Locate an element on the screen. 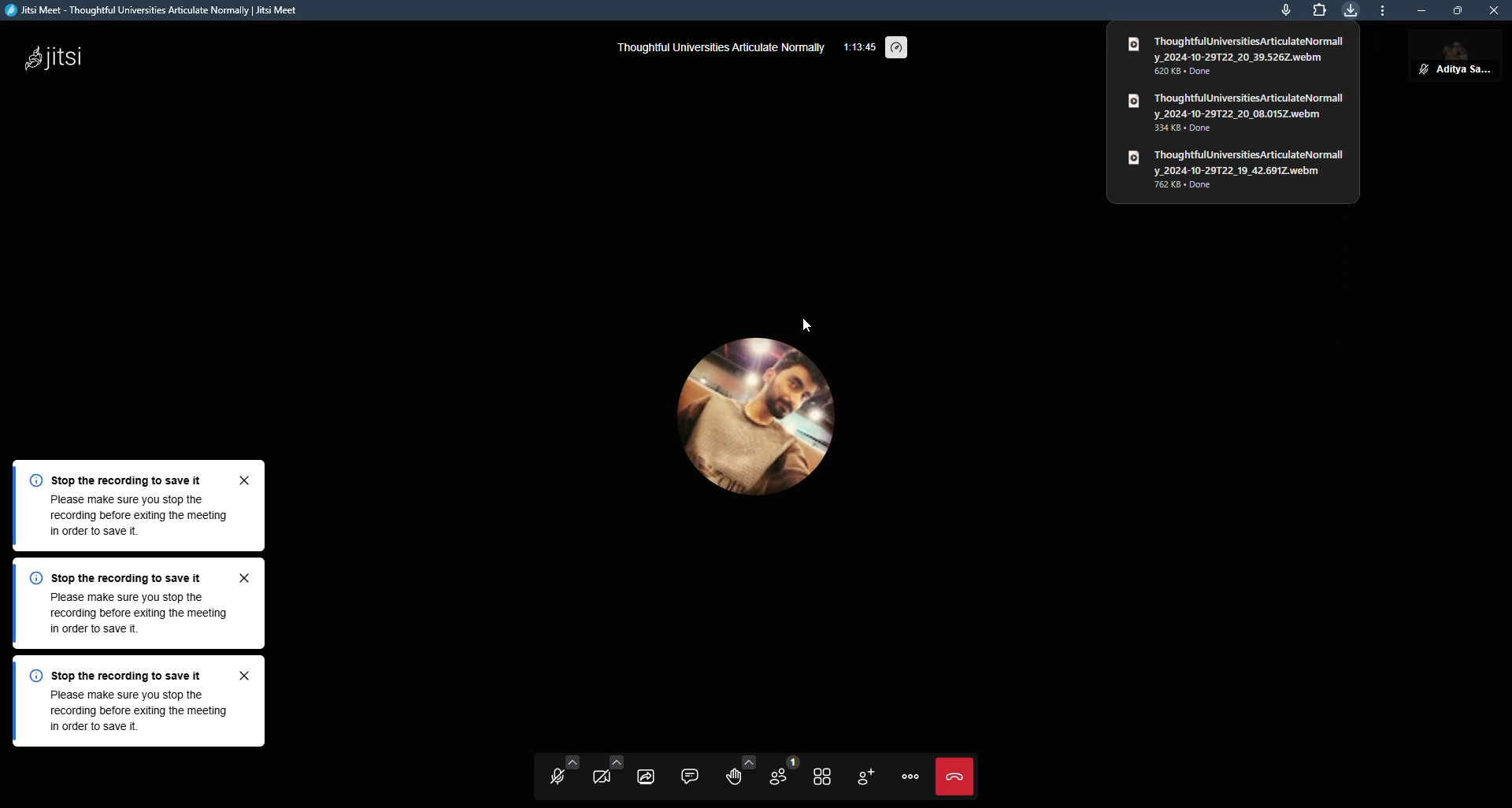 This screenshot has height=808, width=1512. 762 KB + Done is located at coordinates (1194, 187).